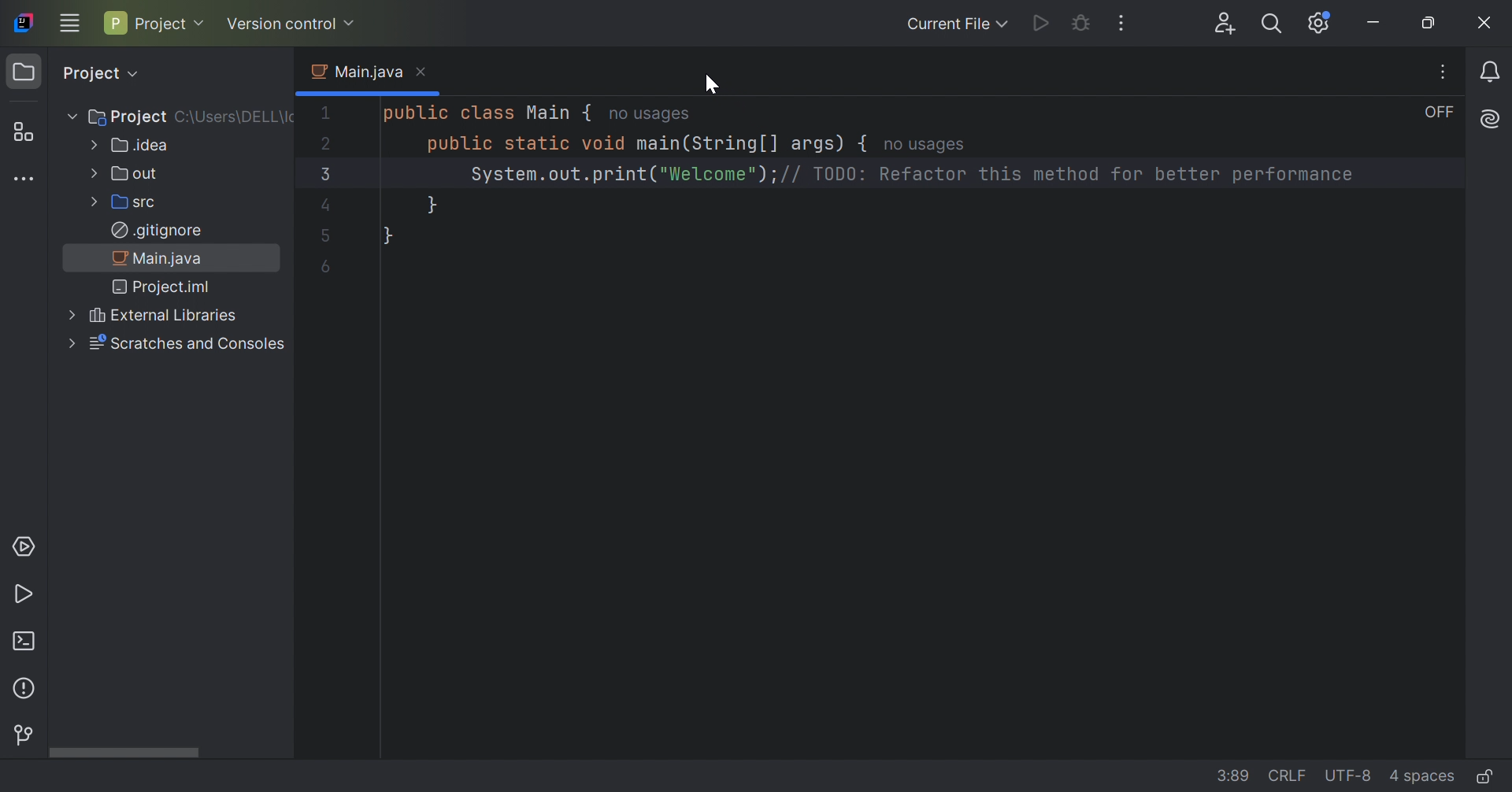 The image size is (1512, 792). I want to click on Structure, so click(20, 132).